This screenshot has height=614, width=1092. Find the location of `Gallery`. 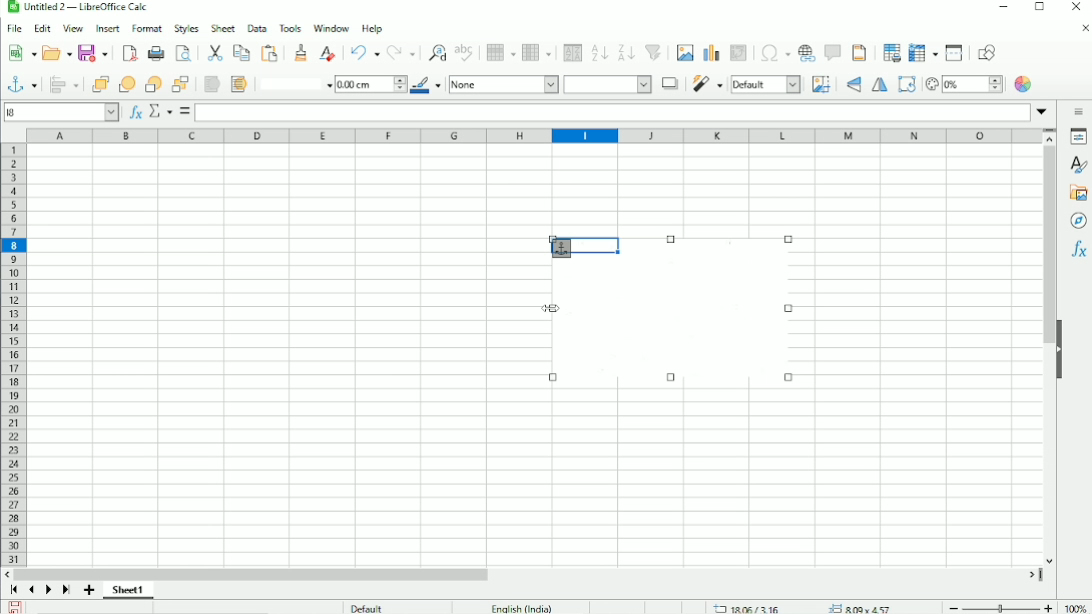

Gallery is located at coordinates (1077, 193).